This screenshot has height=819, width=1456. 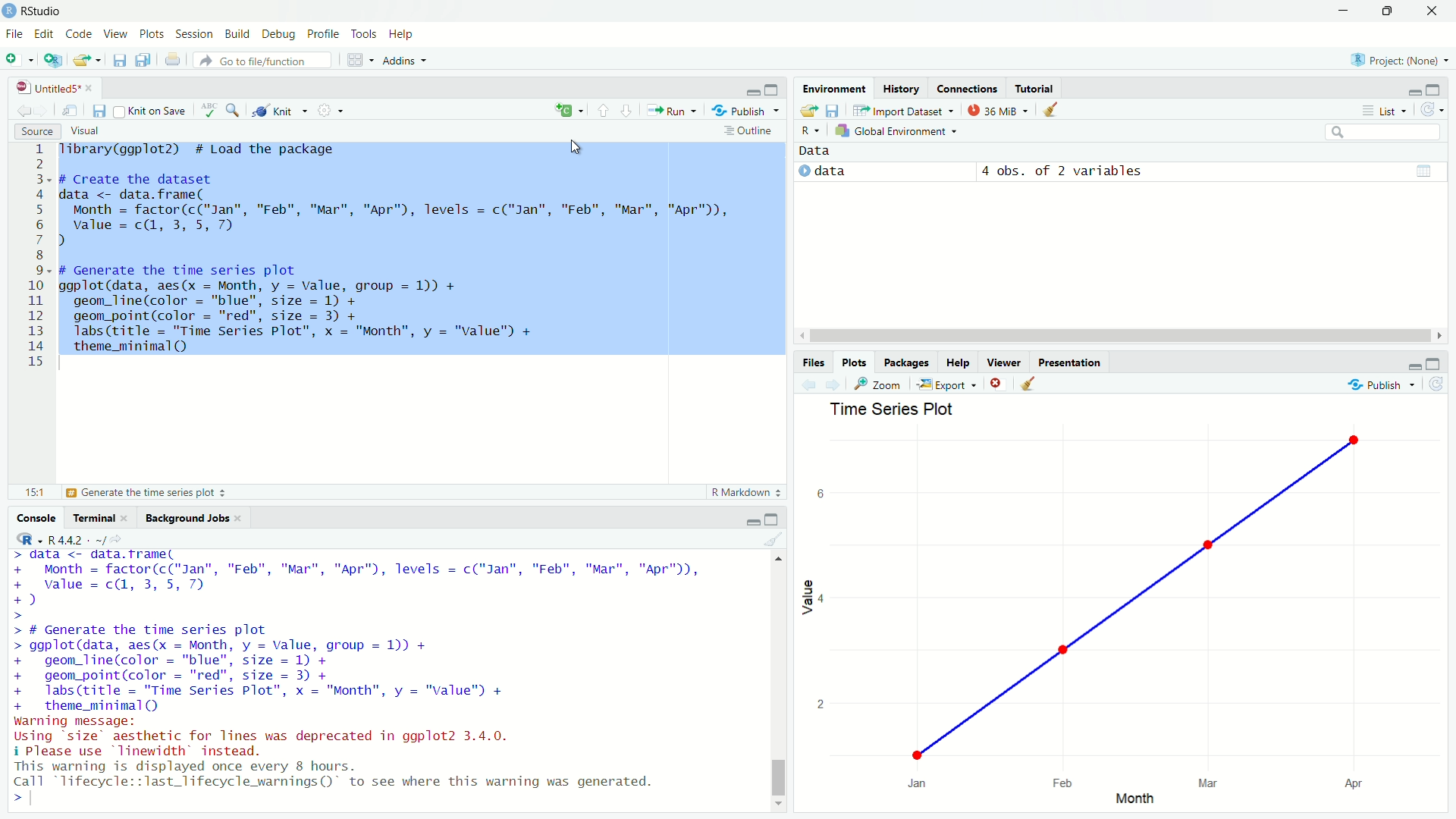 What do you see at coordinates (812, 360) in the screenshot?
I see `files` at bounding box center [812, 360].